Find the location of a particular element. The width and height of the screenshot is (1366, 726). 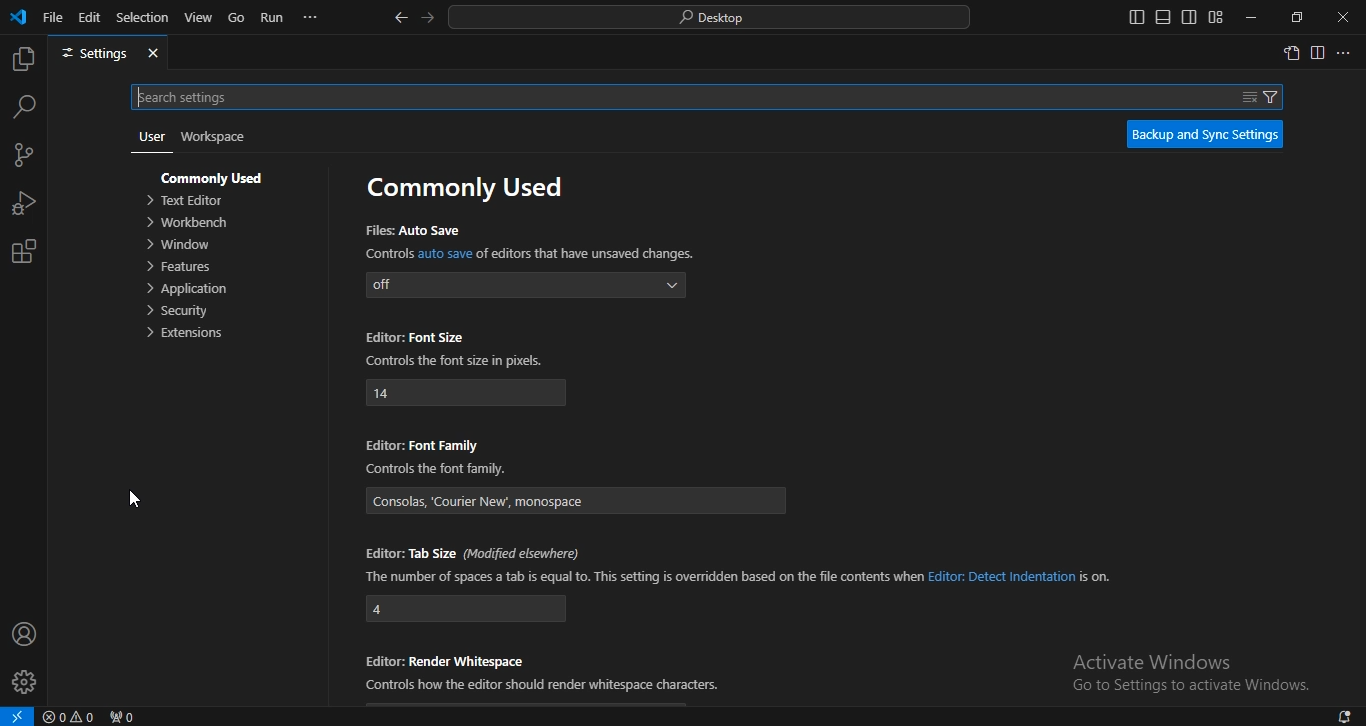

files: auto save is located at coordinates (525, 286).